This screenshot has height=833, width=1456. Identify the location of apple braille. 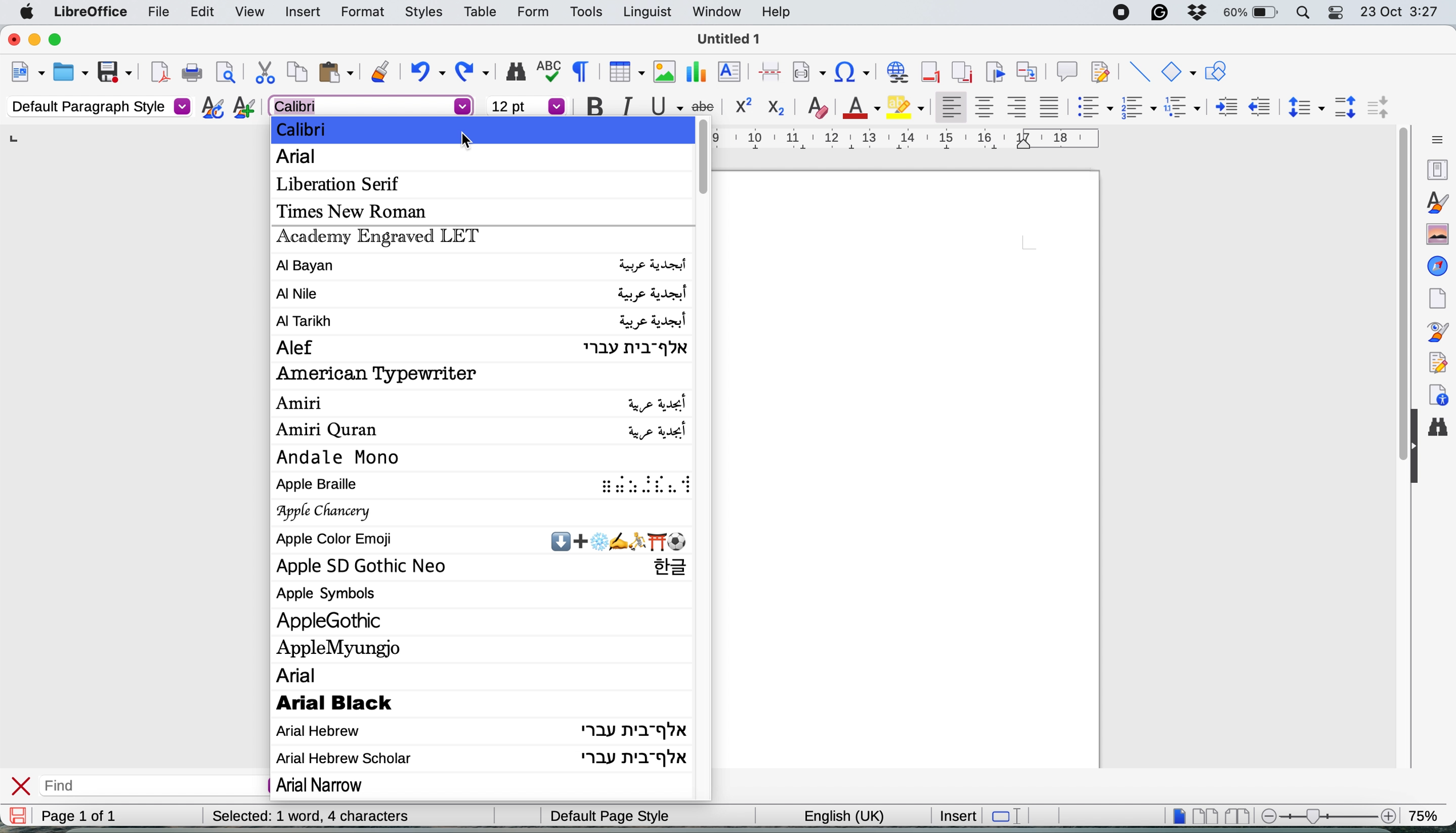
(487, 487).